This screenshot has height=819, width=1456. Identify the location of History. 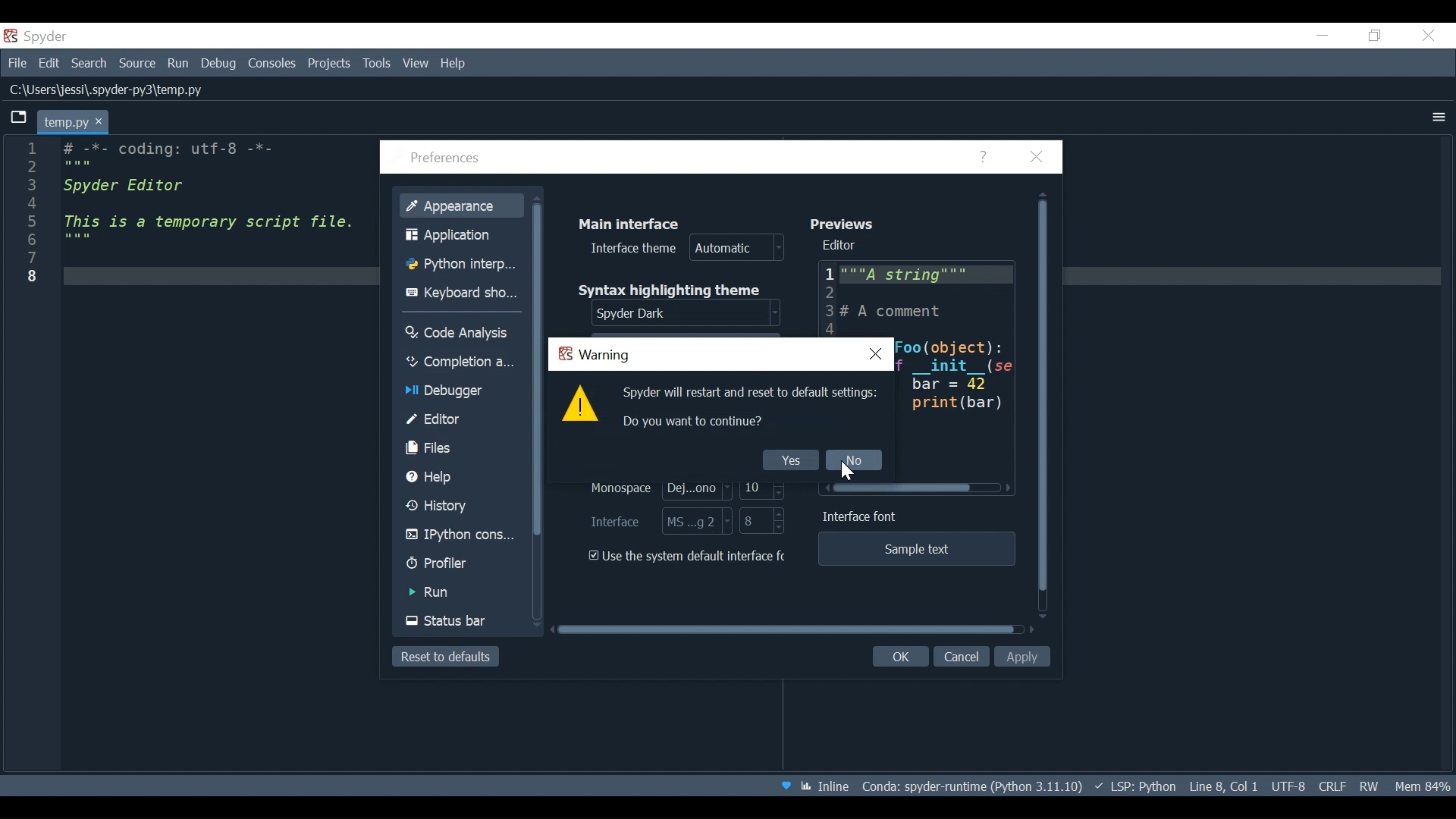
(461, 507).